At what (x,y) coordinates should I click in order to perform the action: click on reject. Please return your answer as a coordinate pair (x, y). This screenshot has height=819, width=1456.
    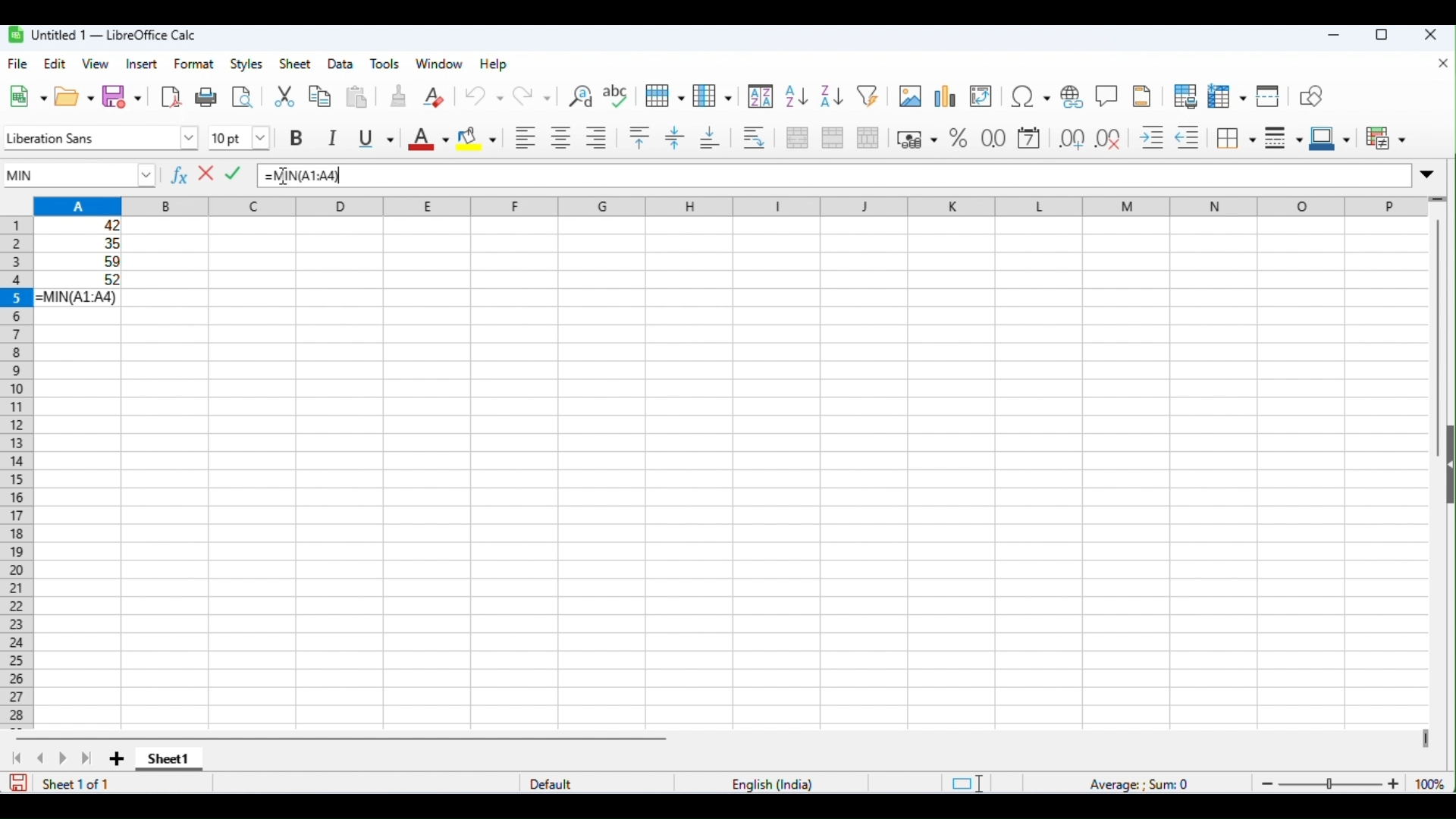
    Looking at the image, I should click on (208, 174).